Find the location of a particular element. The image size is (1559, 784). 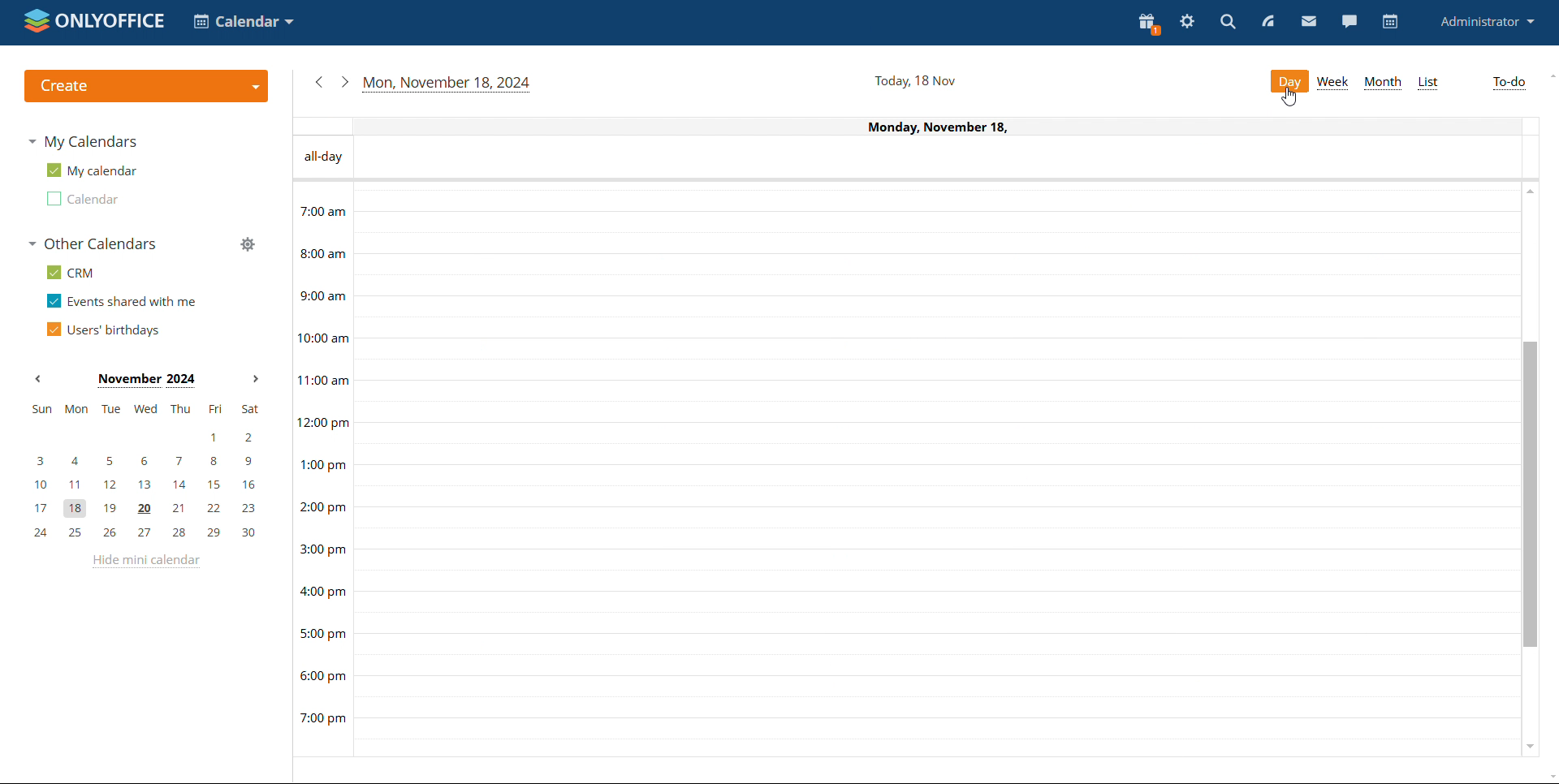

day view selected is located at coordinates (1291, 80).